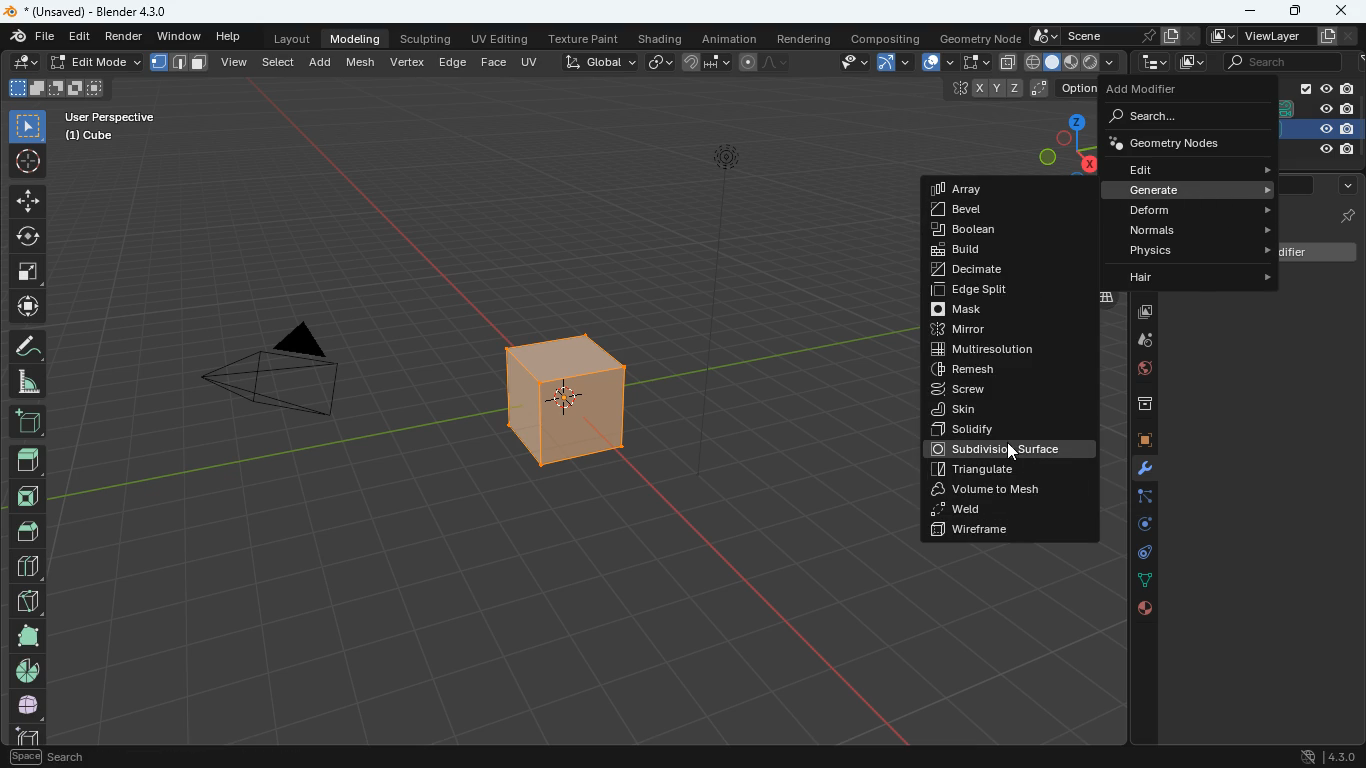 This screenshot has width=1366, height=768. Describe the element at coordinates (1002, 371) in the screenshot. I see `remesh` at that location.